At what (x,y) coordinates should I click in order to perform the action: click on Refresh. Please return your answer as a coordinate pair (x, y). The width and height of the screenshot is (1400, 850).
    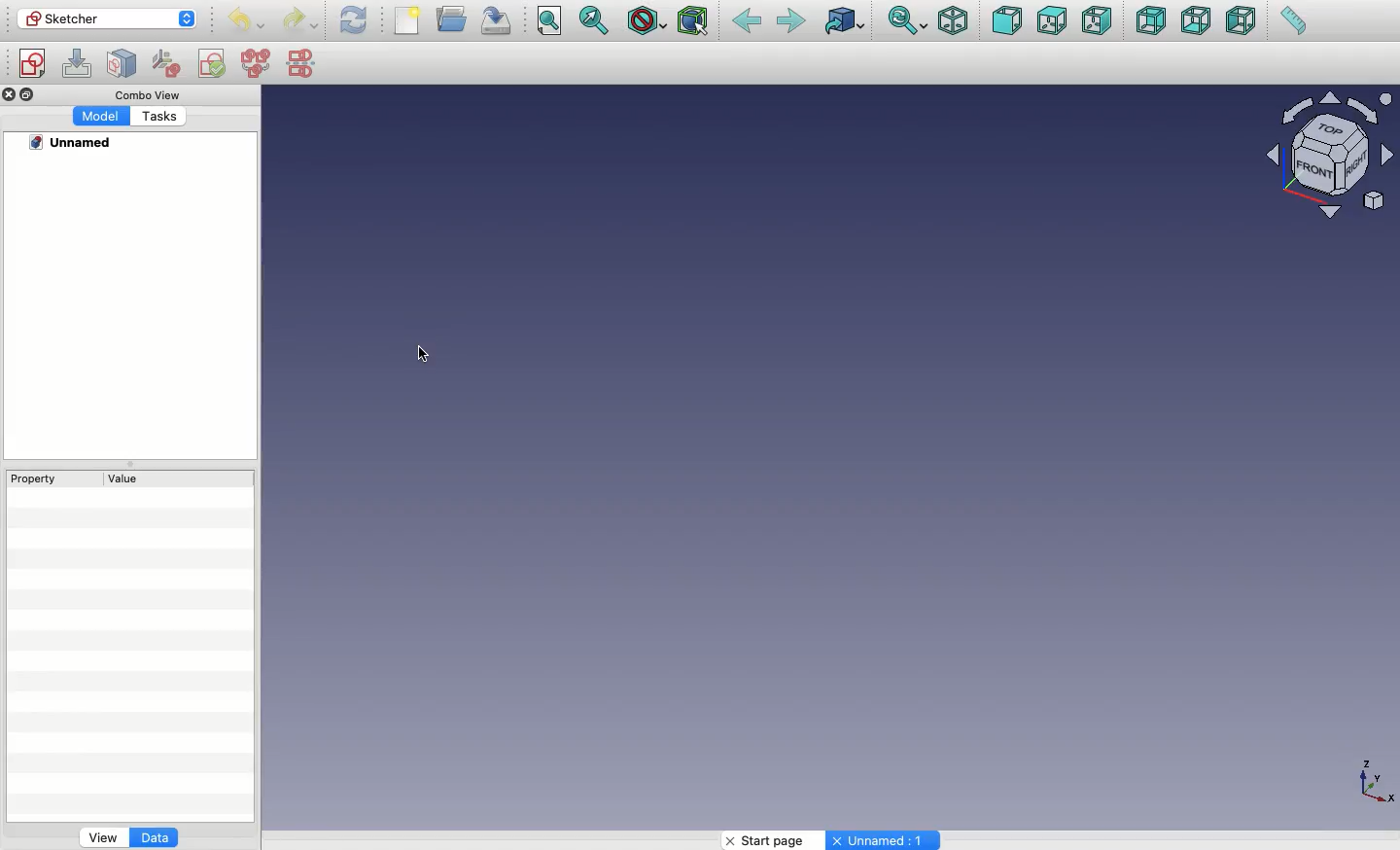
    Looking at the image, I should click on (355, 22).